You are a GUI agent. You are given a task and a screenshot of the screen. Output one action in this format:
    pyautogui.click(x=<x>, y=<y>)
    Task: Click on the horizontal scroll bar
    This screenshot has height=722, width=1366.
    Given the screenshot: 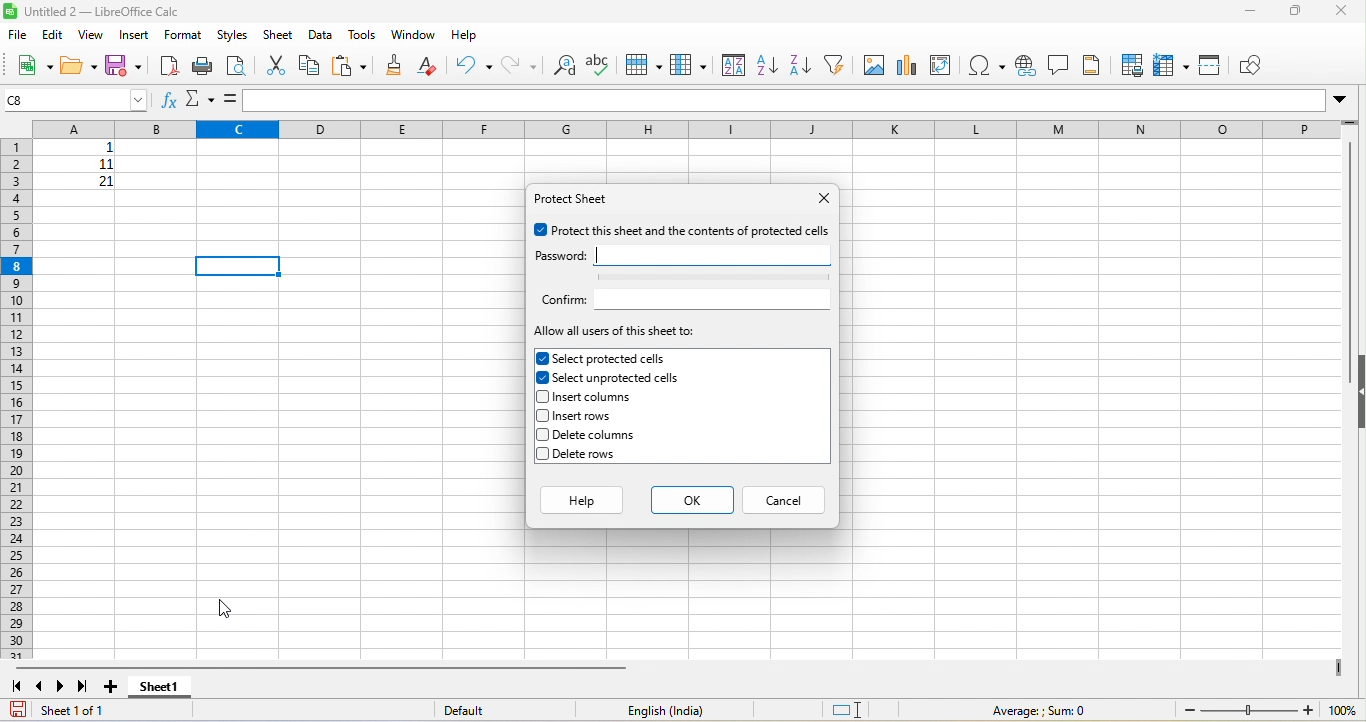 What is the action you would take?
    pyautogui.click(x=327, y=666)
    